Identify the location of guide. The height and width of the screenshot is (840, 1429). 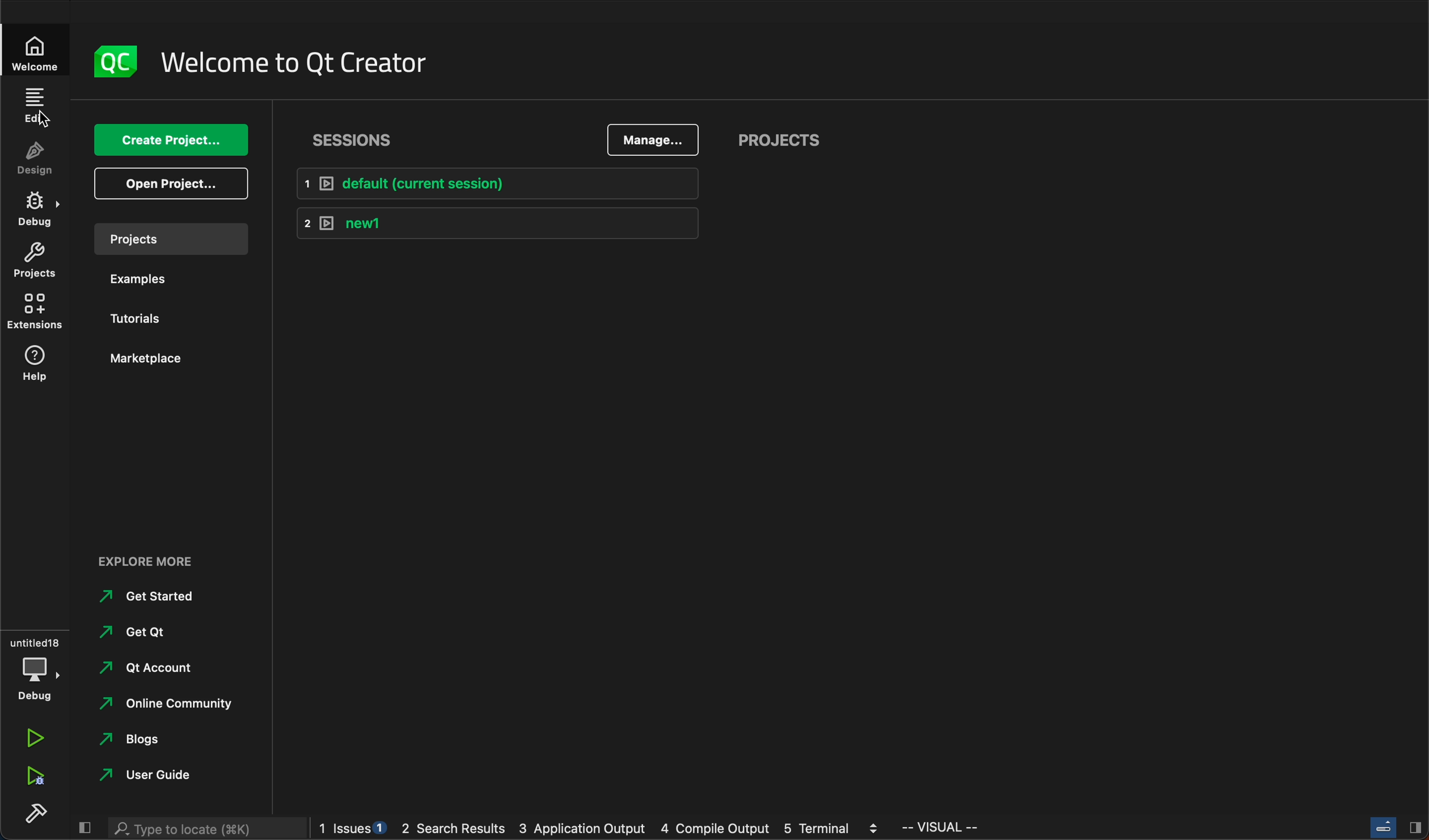
(150, 776).